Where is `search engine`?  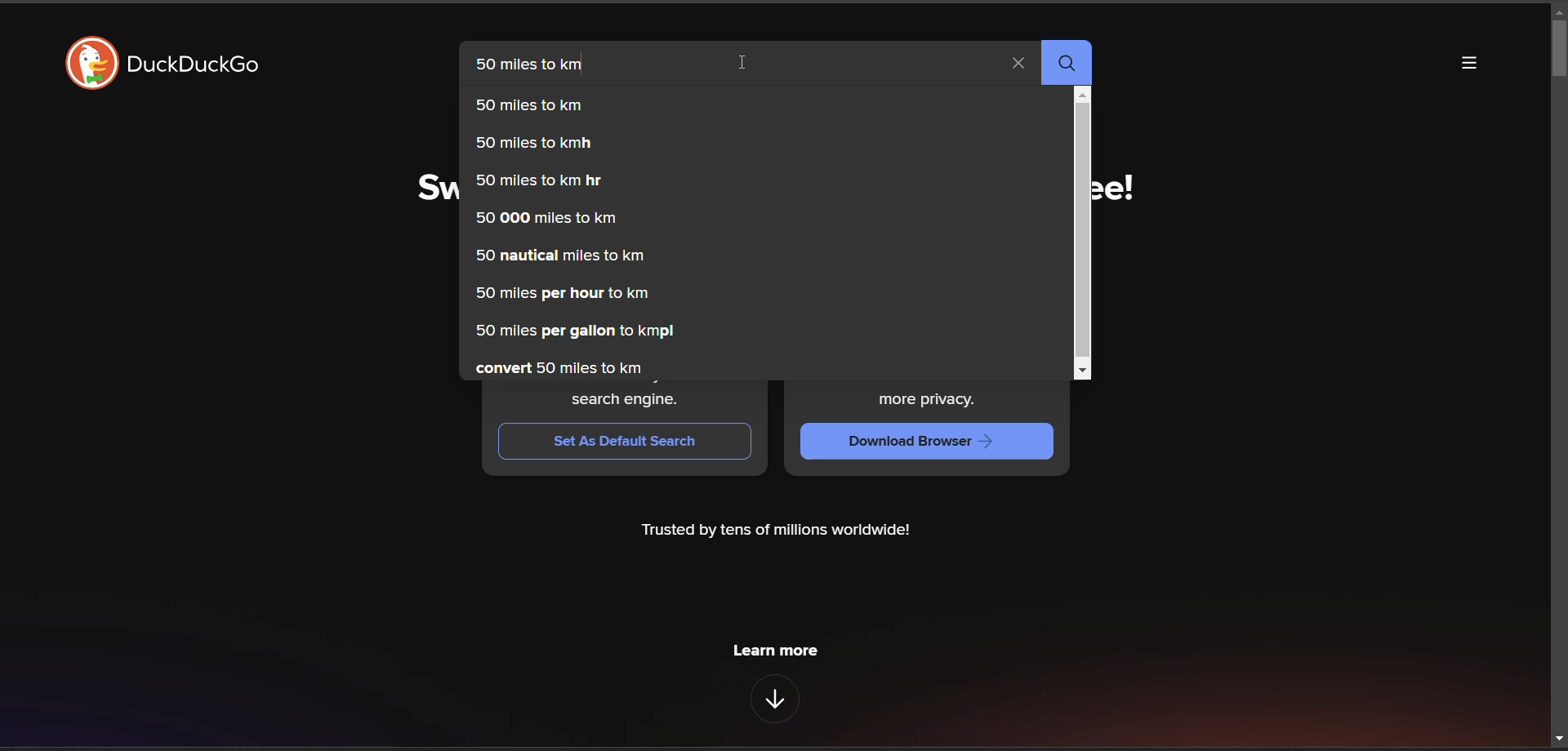
search engine is located at coordinates (619, 400).